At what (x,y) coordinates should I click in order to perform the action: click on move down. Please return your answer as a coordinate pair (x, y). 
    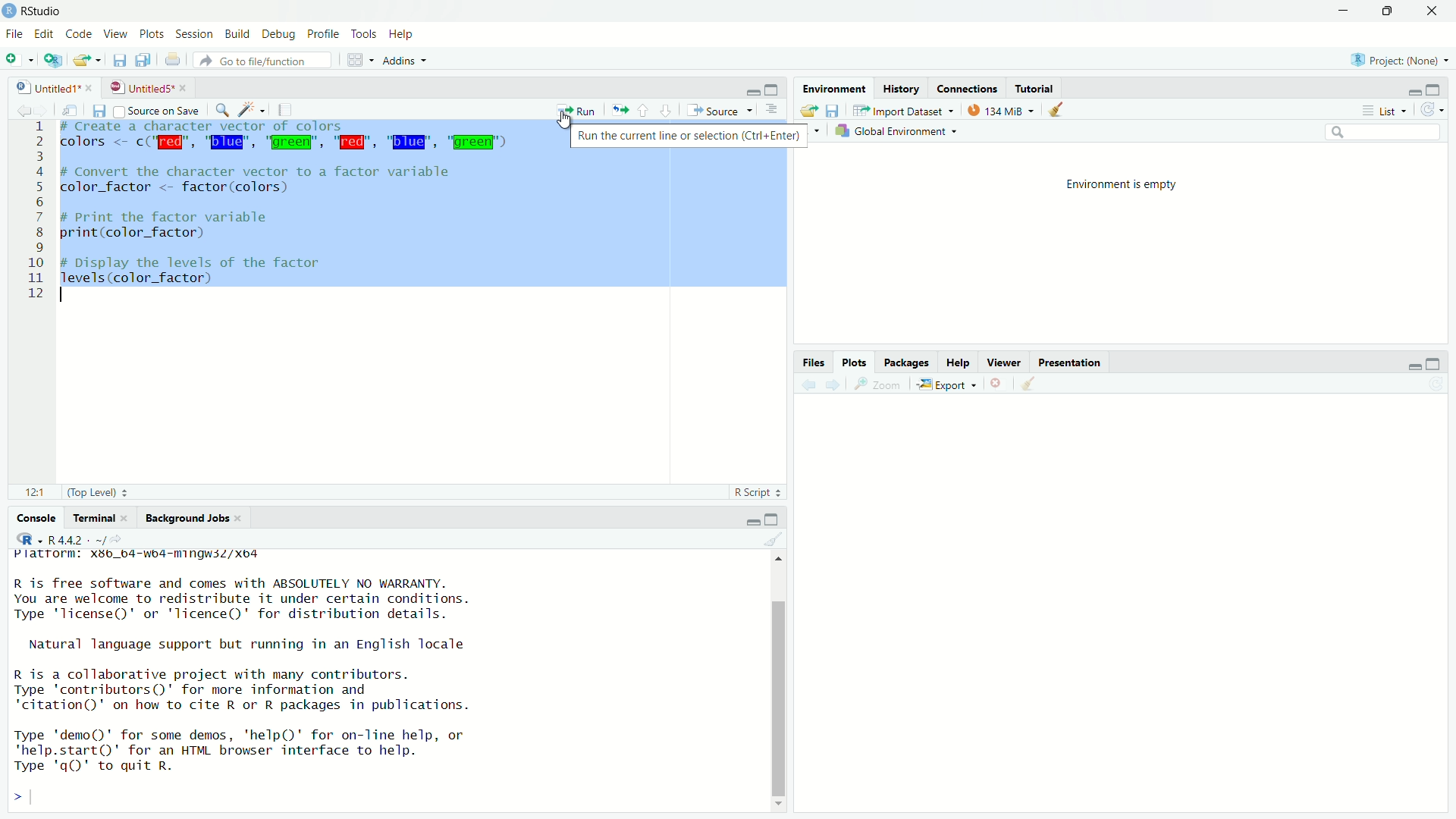
    Looking at the image, I should click on (782, 808).